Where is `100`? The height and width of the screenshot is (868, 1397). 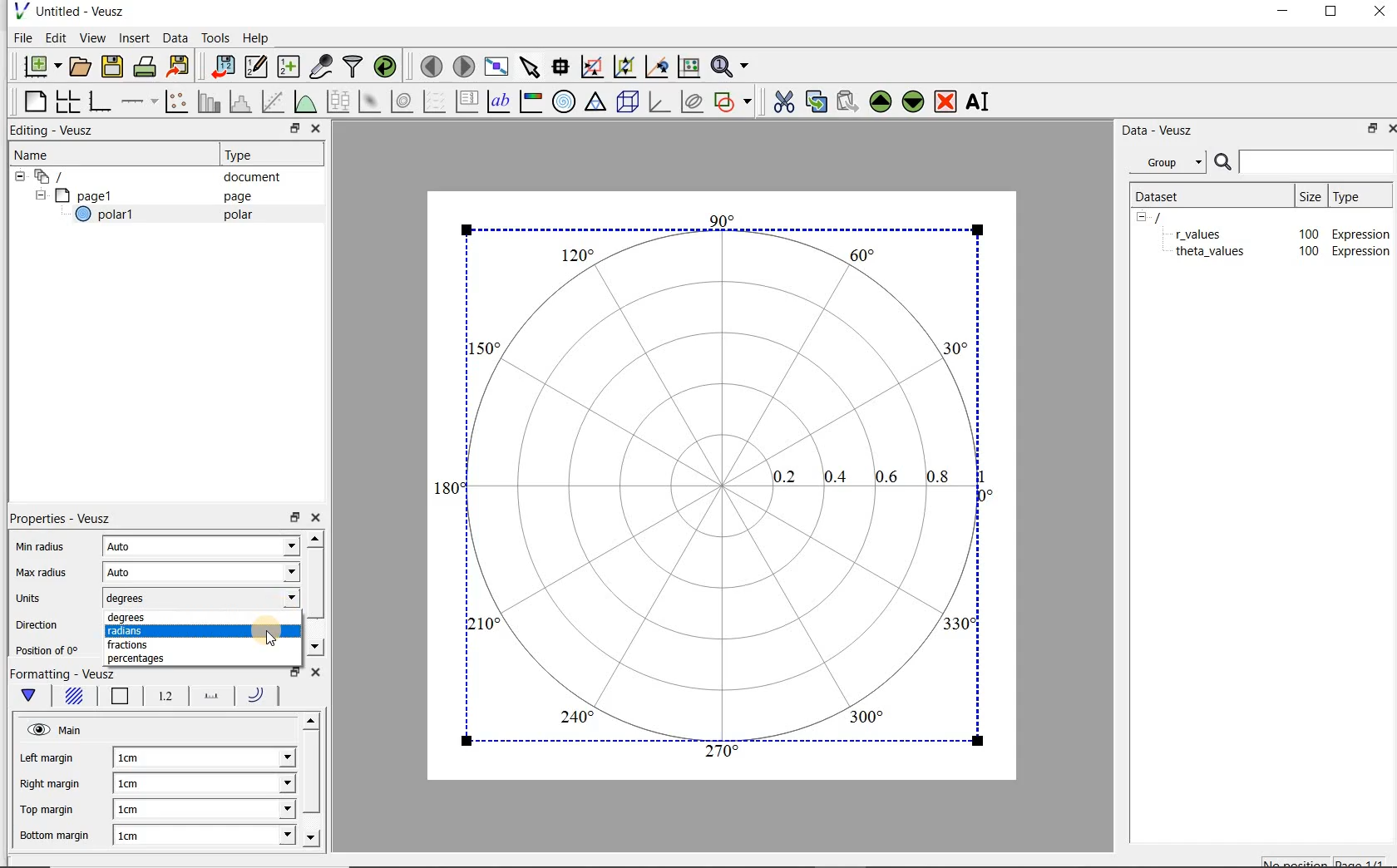 100 is located at coordinates (1307, 252).